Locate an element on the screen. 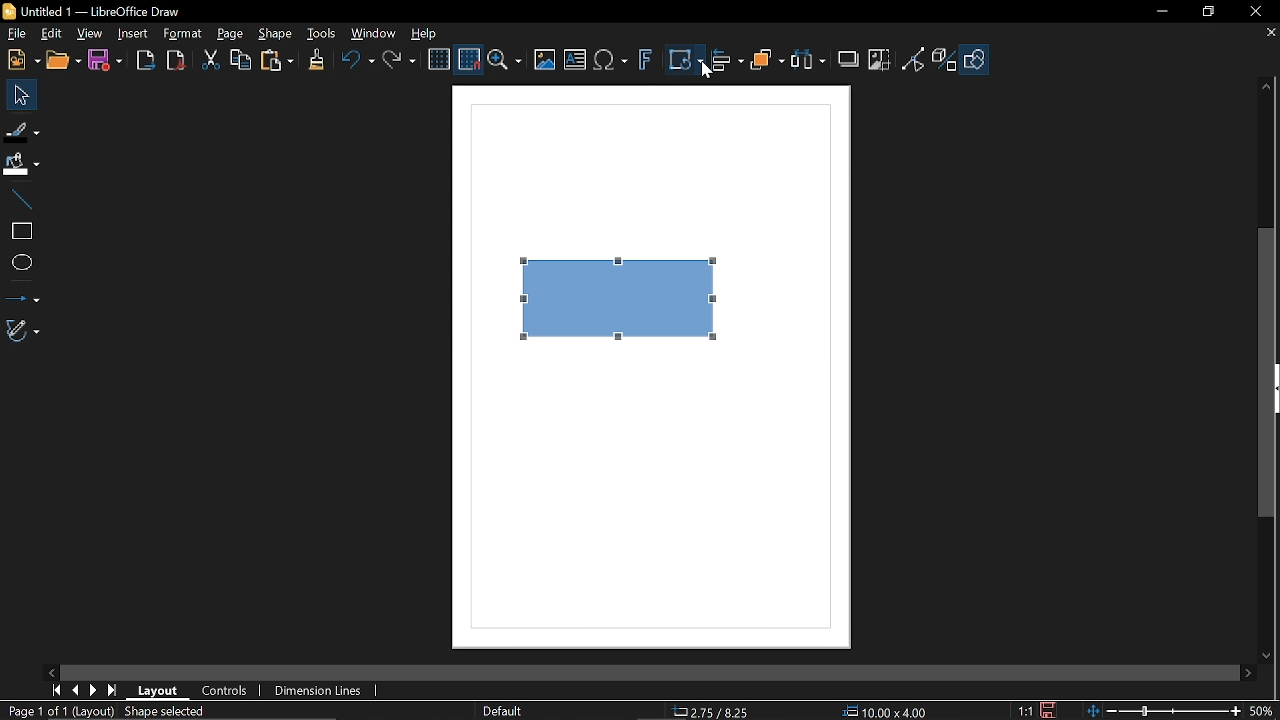  Minimize is located at coordinates (1159, 12).